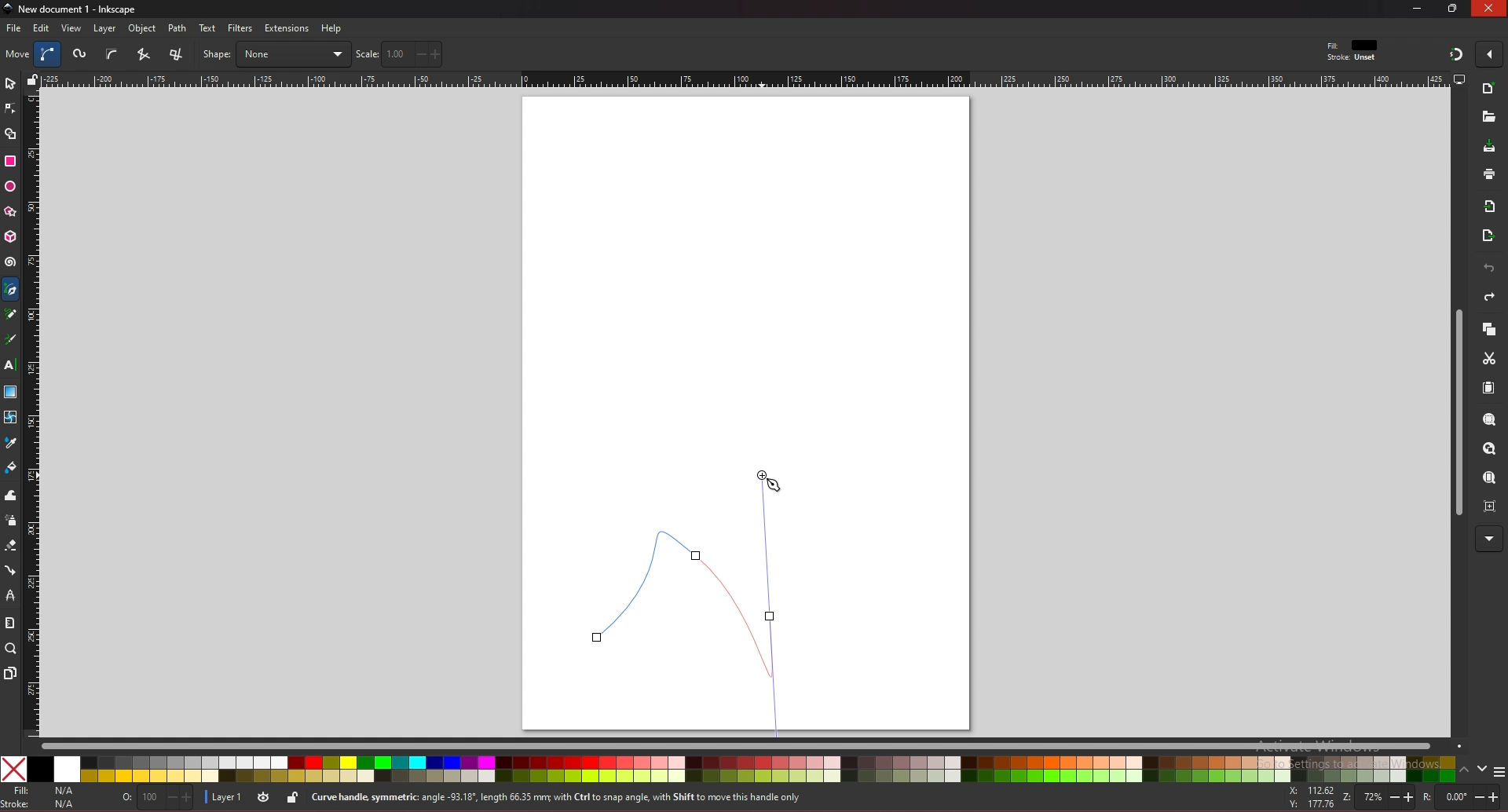 Image resolution: width=1508 pixels, height=812 pixels. What do you see at coordinates (1455, 8) in the screenshot?
I see `resize` at bounding box center [1455, 8].